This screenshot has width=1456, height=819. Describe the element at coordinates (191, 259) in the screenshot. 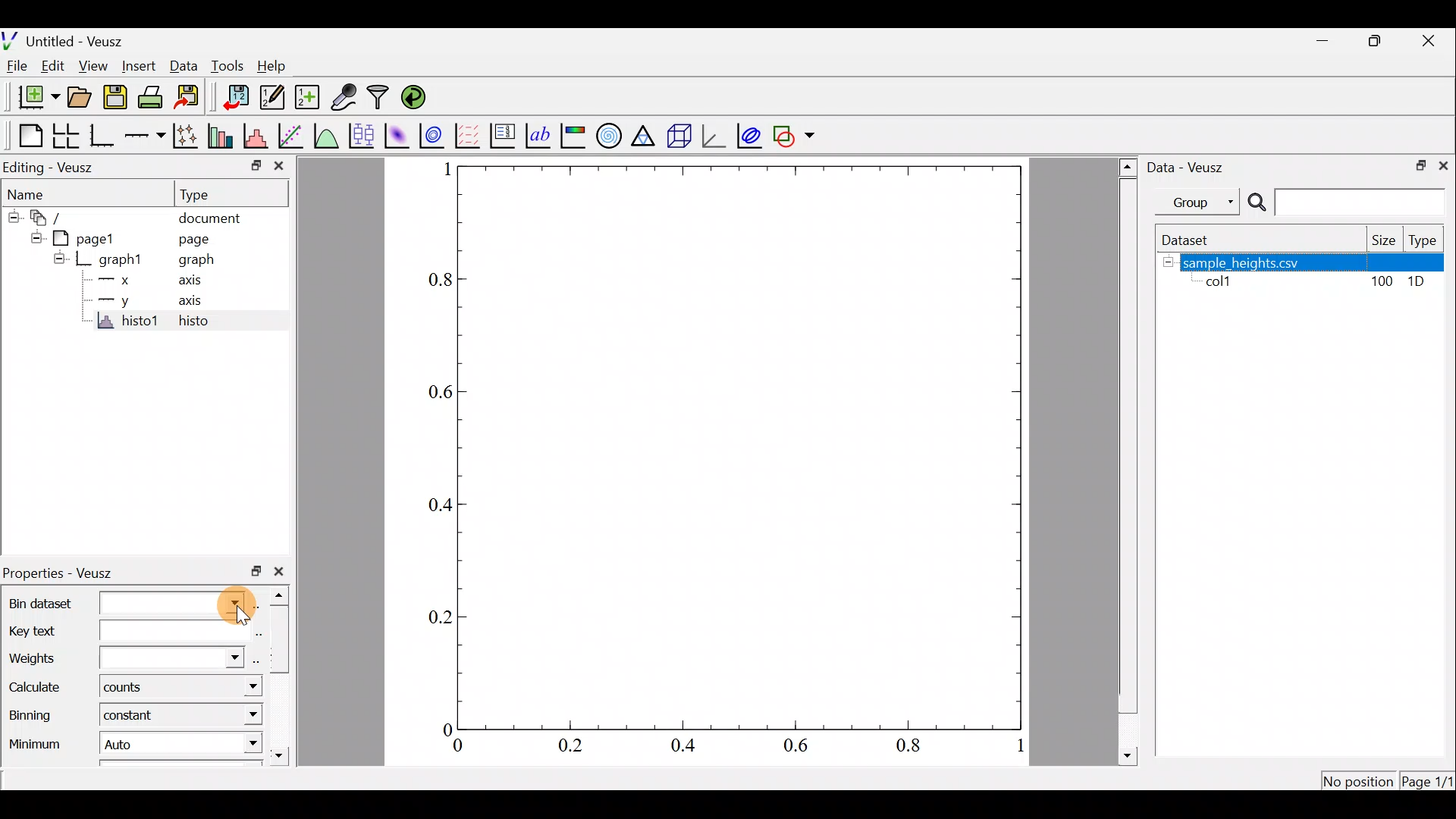

I see `graph` at that location.